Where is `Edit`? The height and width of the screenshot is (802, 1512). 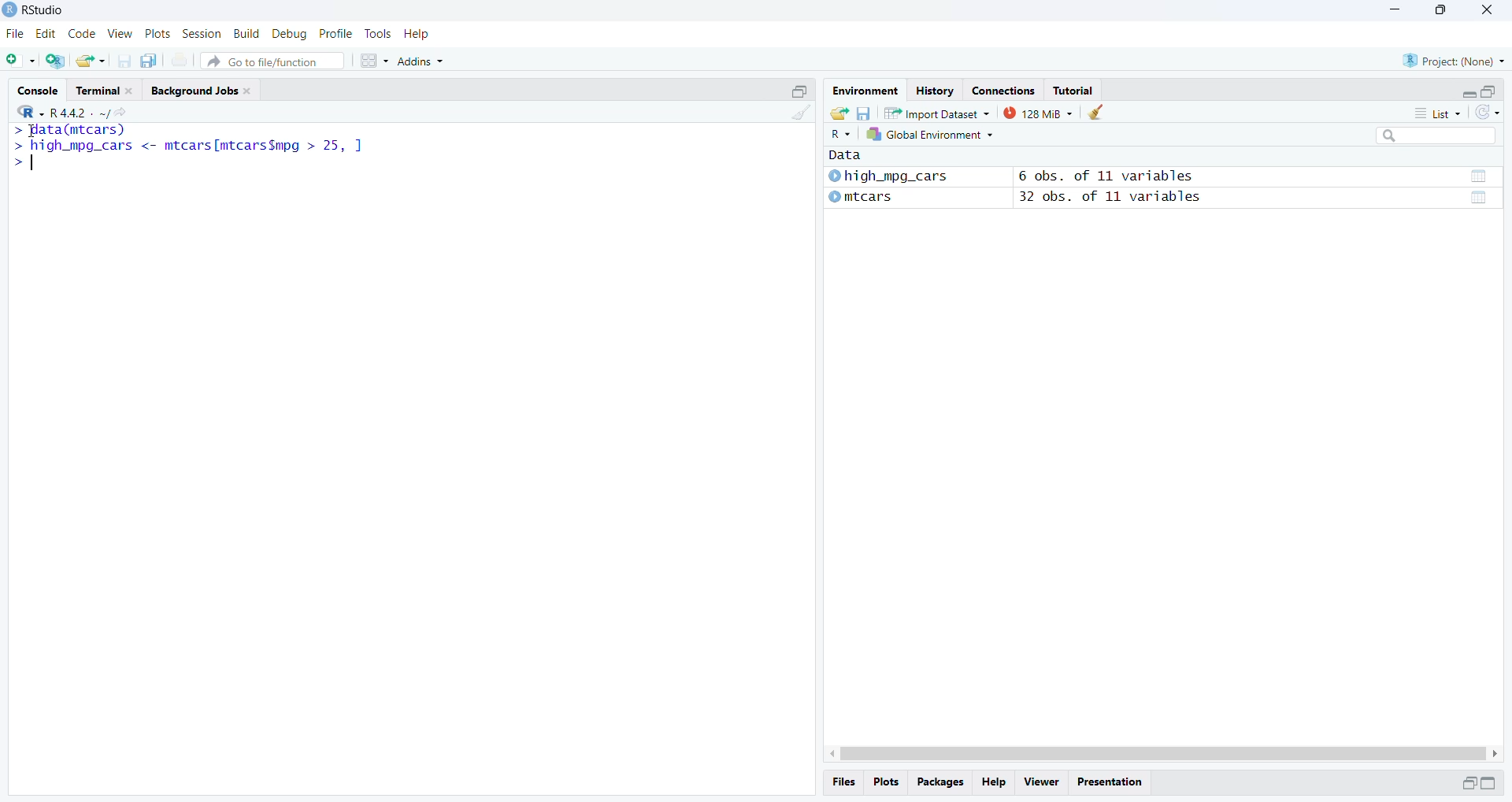
Edit is located at coordinates (47, 34).